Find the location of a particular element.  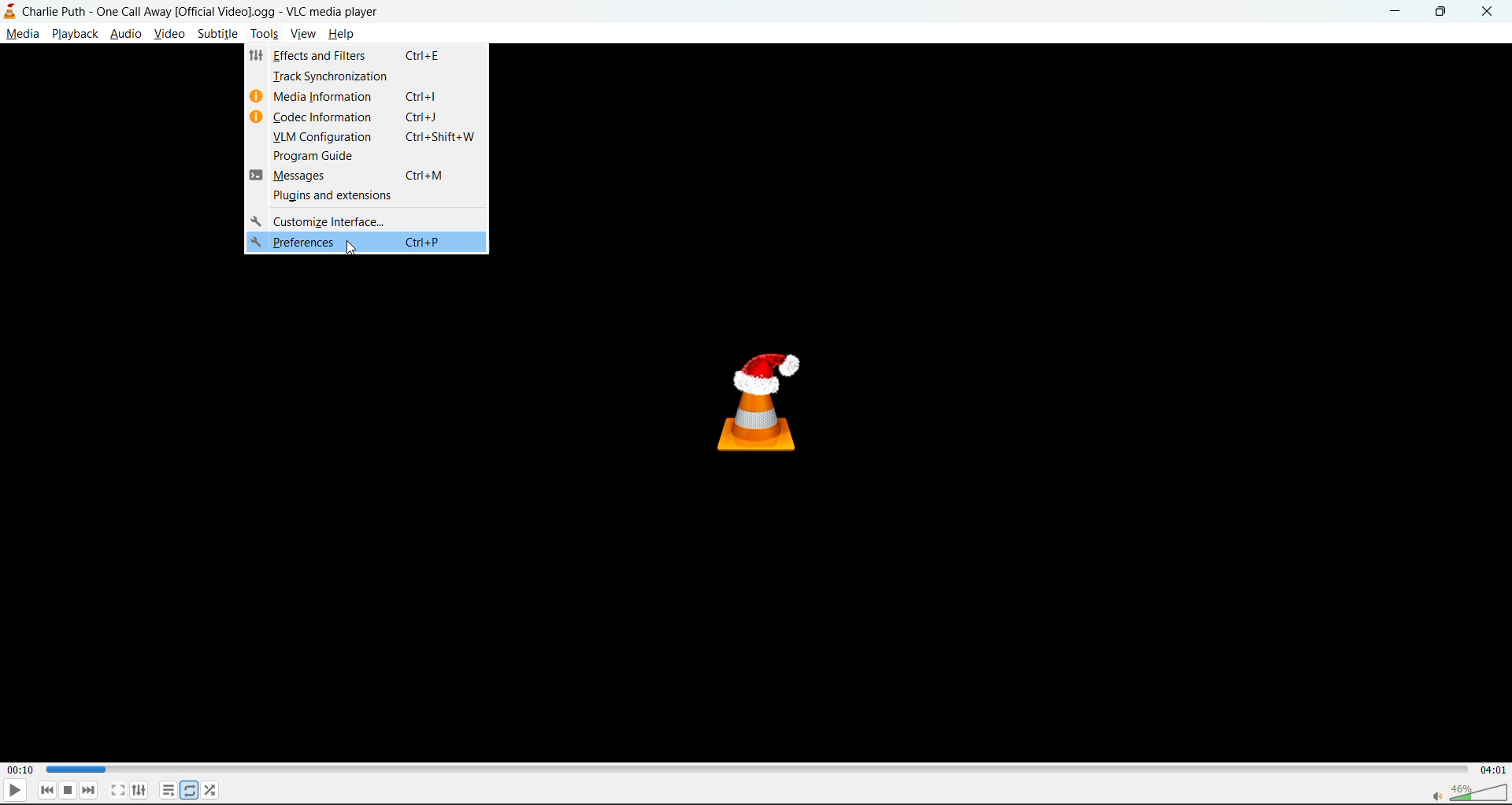

audio is located at coordinates (126, 34).